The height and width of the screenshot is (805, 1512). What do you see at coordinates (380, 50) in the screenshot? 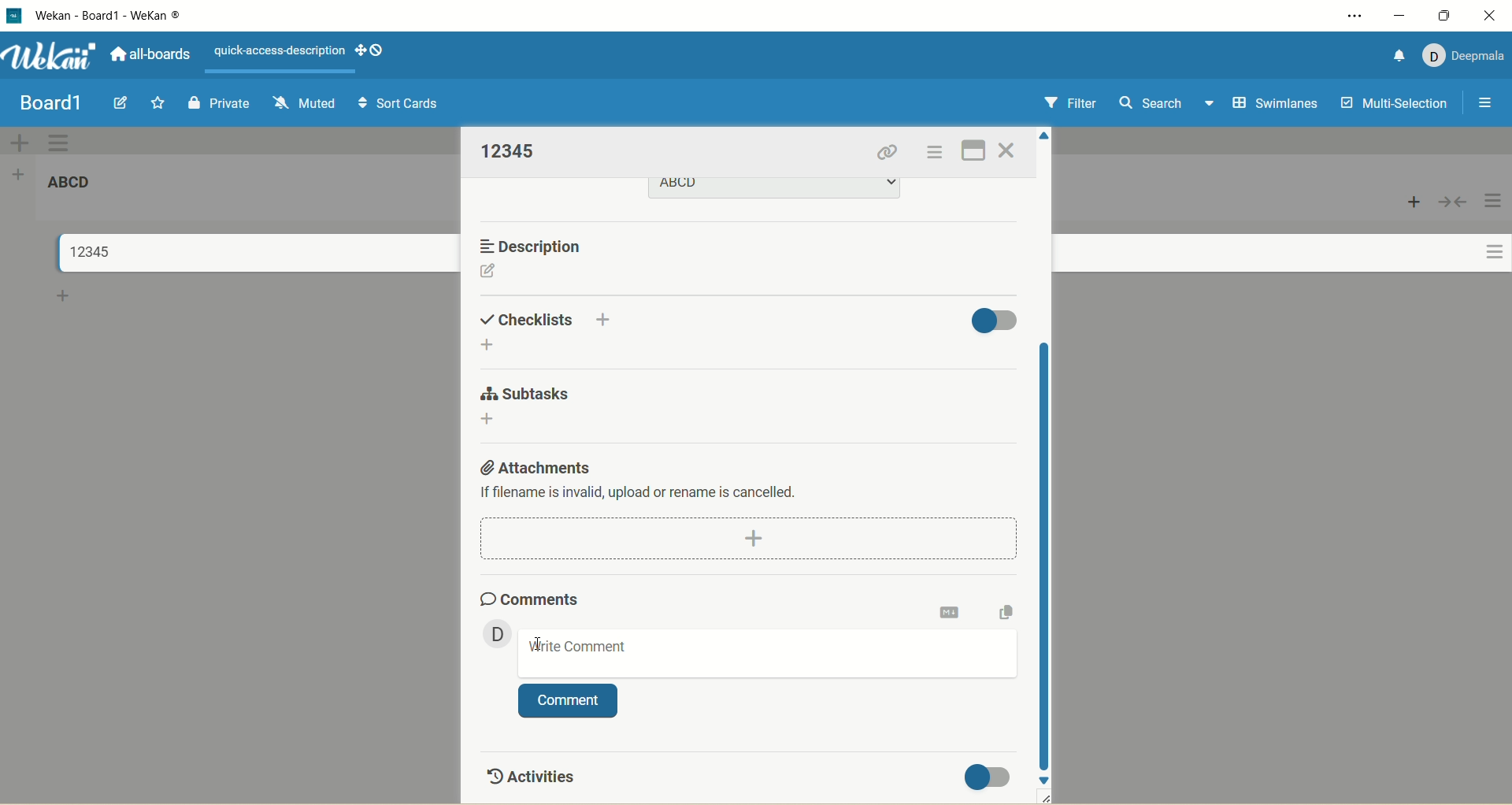
I see `show-desktop-drag-handles` at bounding box center [380, 50].